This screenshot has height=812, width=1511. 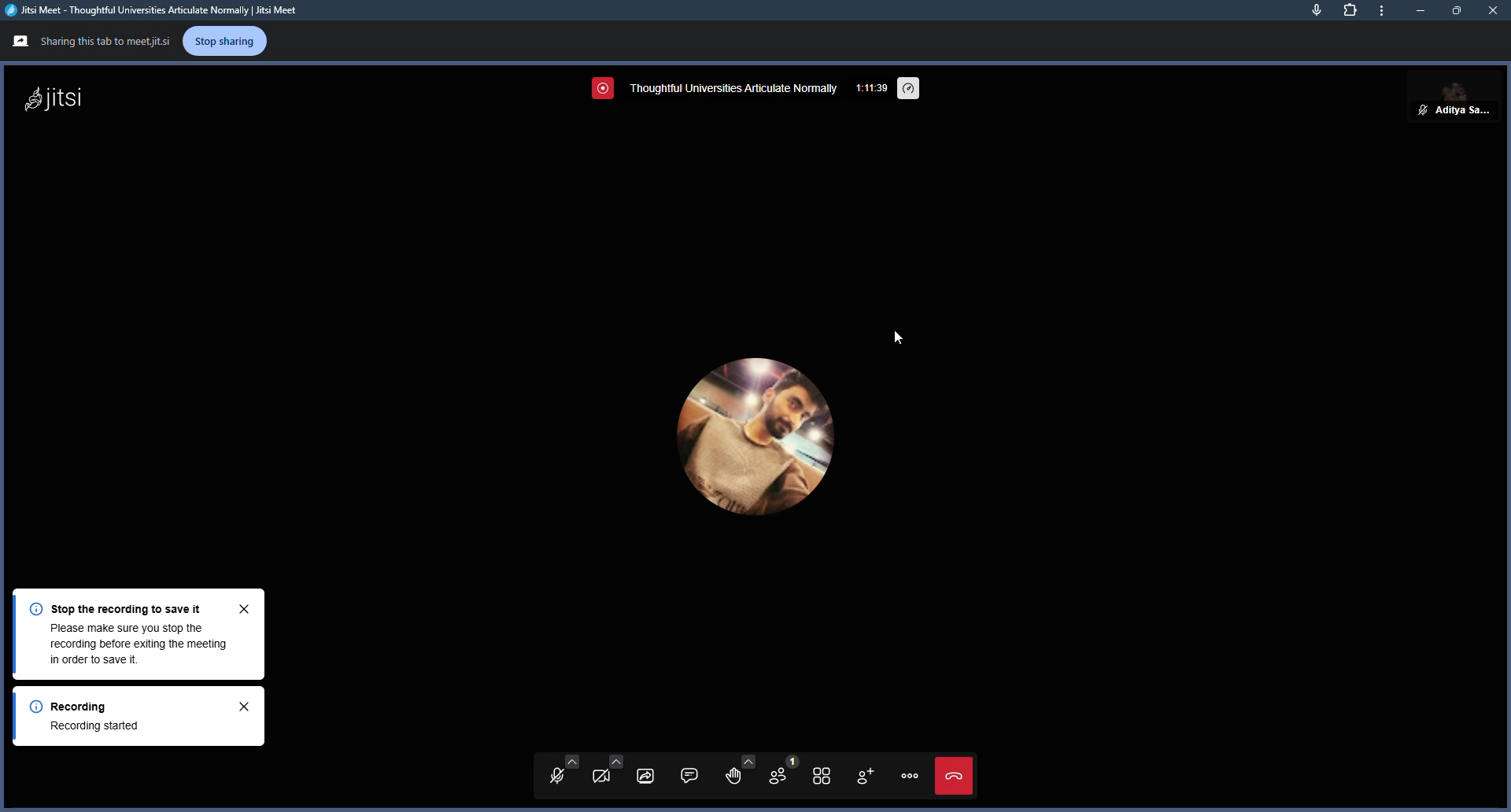 I want to click on mic, so click(x=1315, y=10).